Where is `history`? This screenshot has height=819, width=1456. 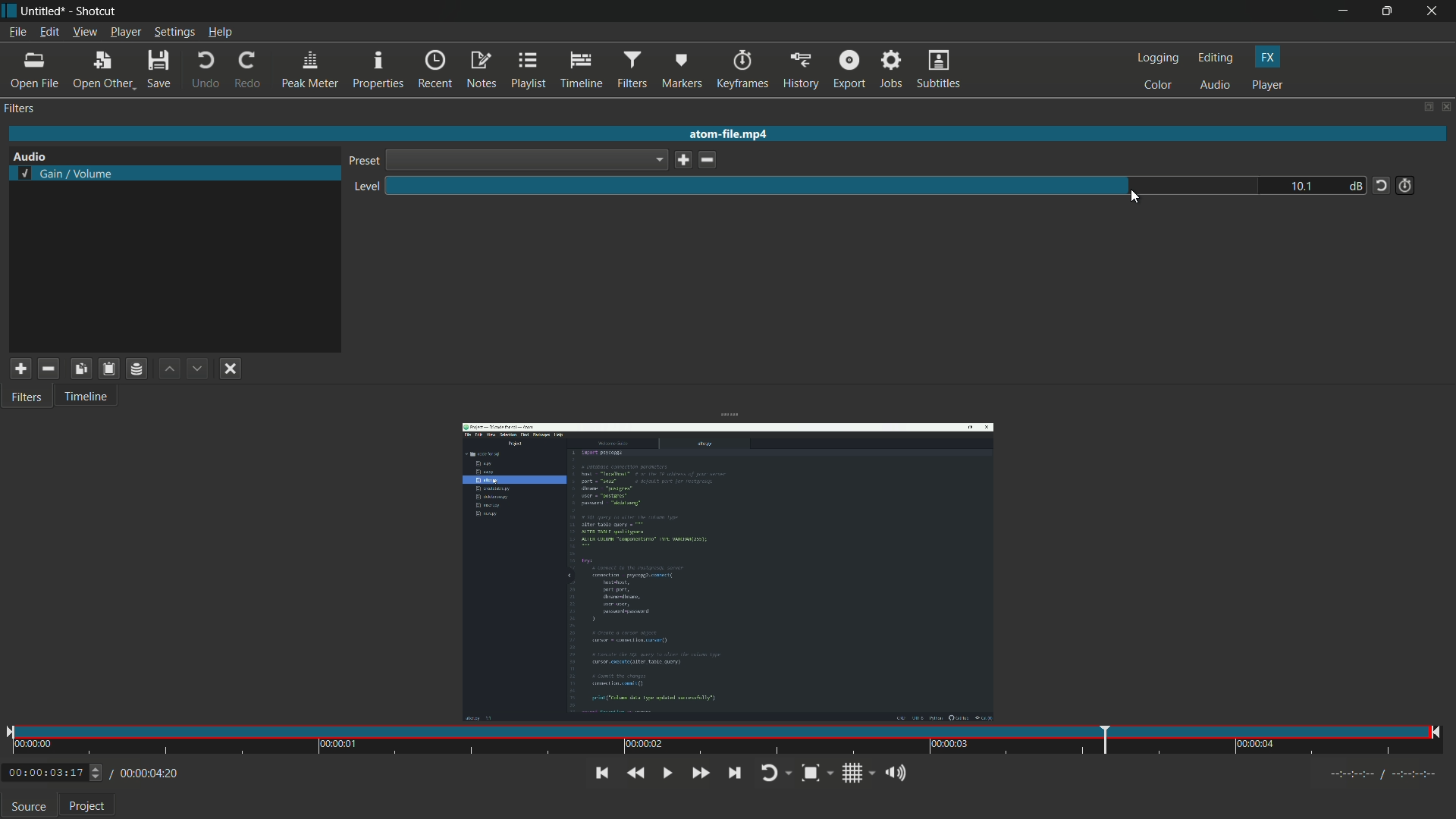
history is located at coordinates (802, 71).